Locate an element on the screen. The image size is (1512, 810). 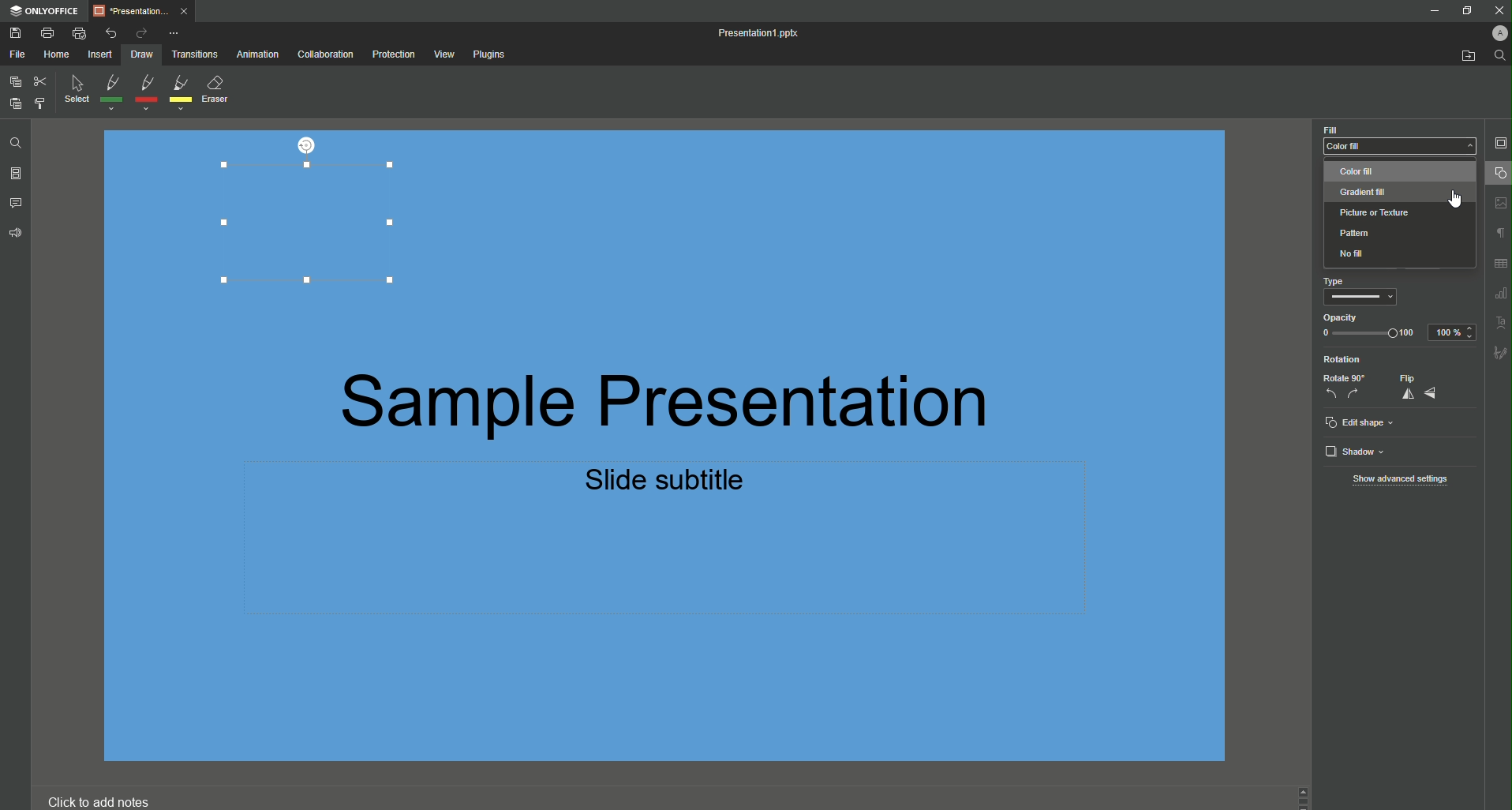
Presentation Text is located at coordinates (732, 434).